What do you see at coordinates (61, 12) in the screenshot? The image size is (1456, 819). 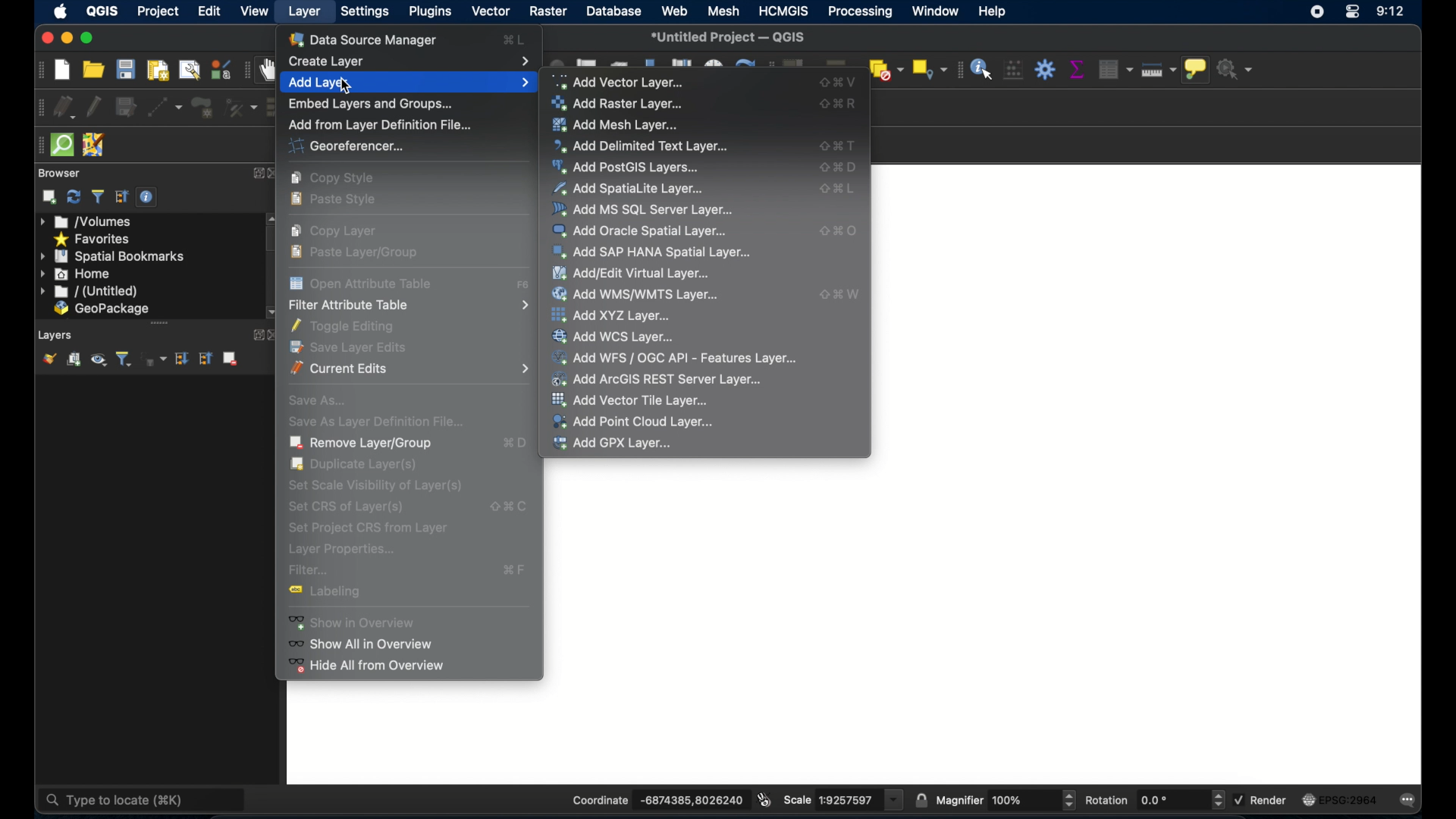 I see `appleicon` at bounding box center [61, 12].